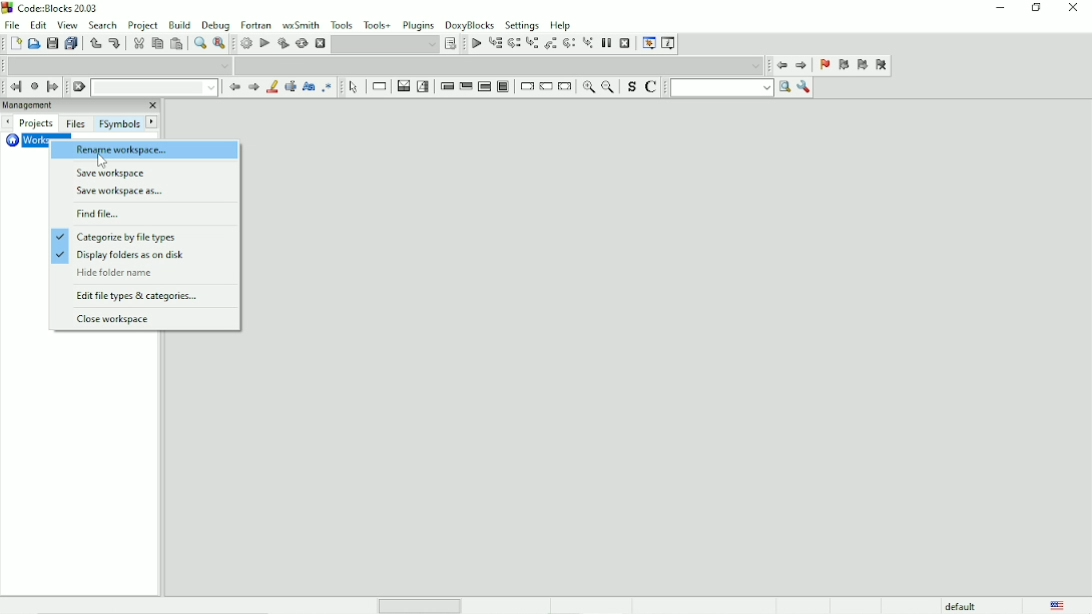  What do you see at coordinates (451, 44) in the screenshot?
I see `Show the select target dialog` at bounding box center [451, 44].